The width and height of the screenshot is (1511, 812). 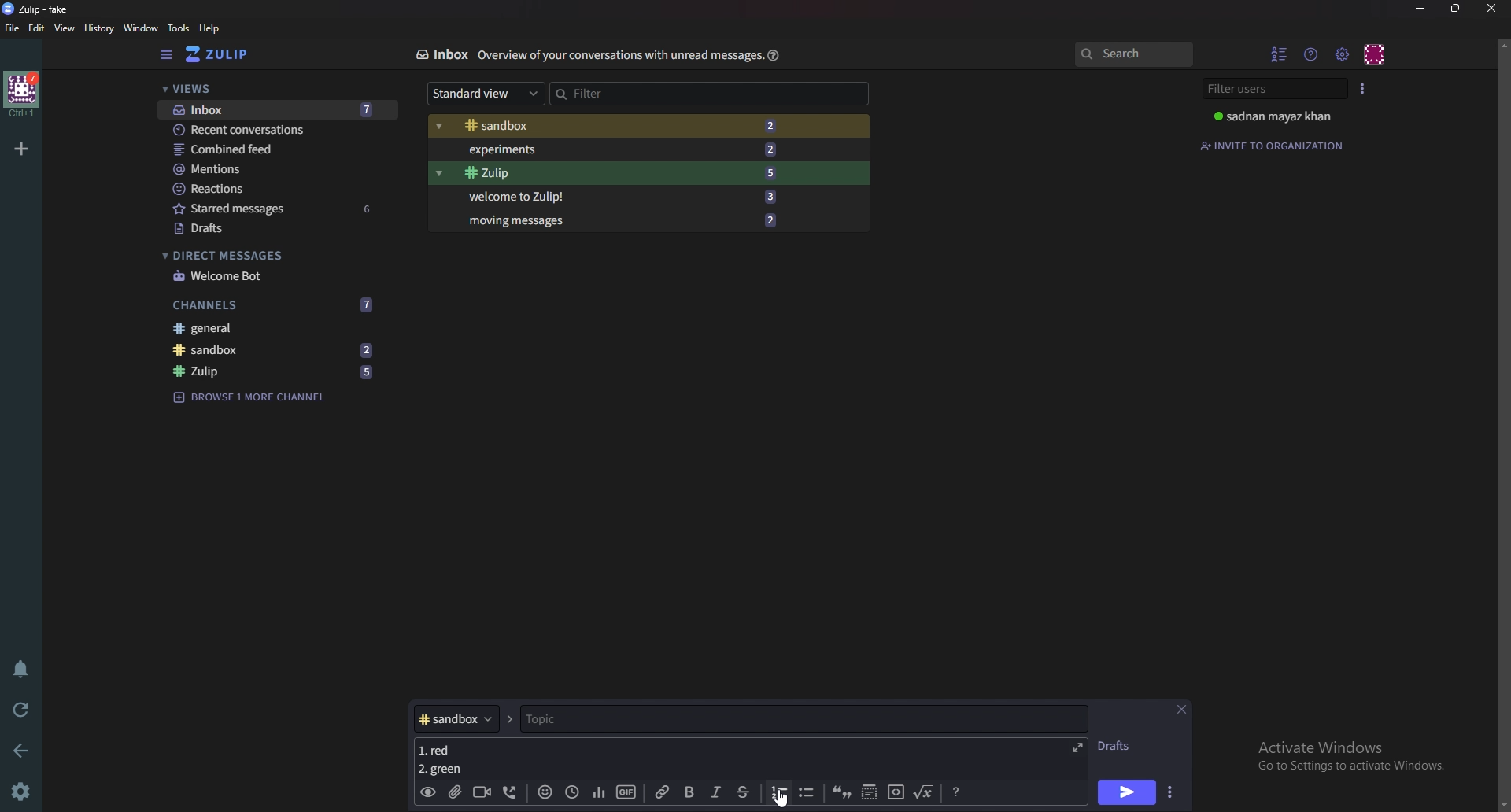 I want to click on User list style, so click(x=1364, y=87).